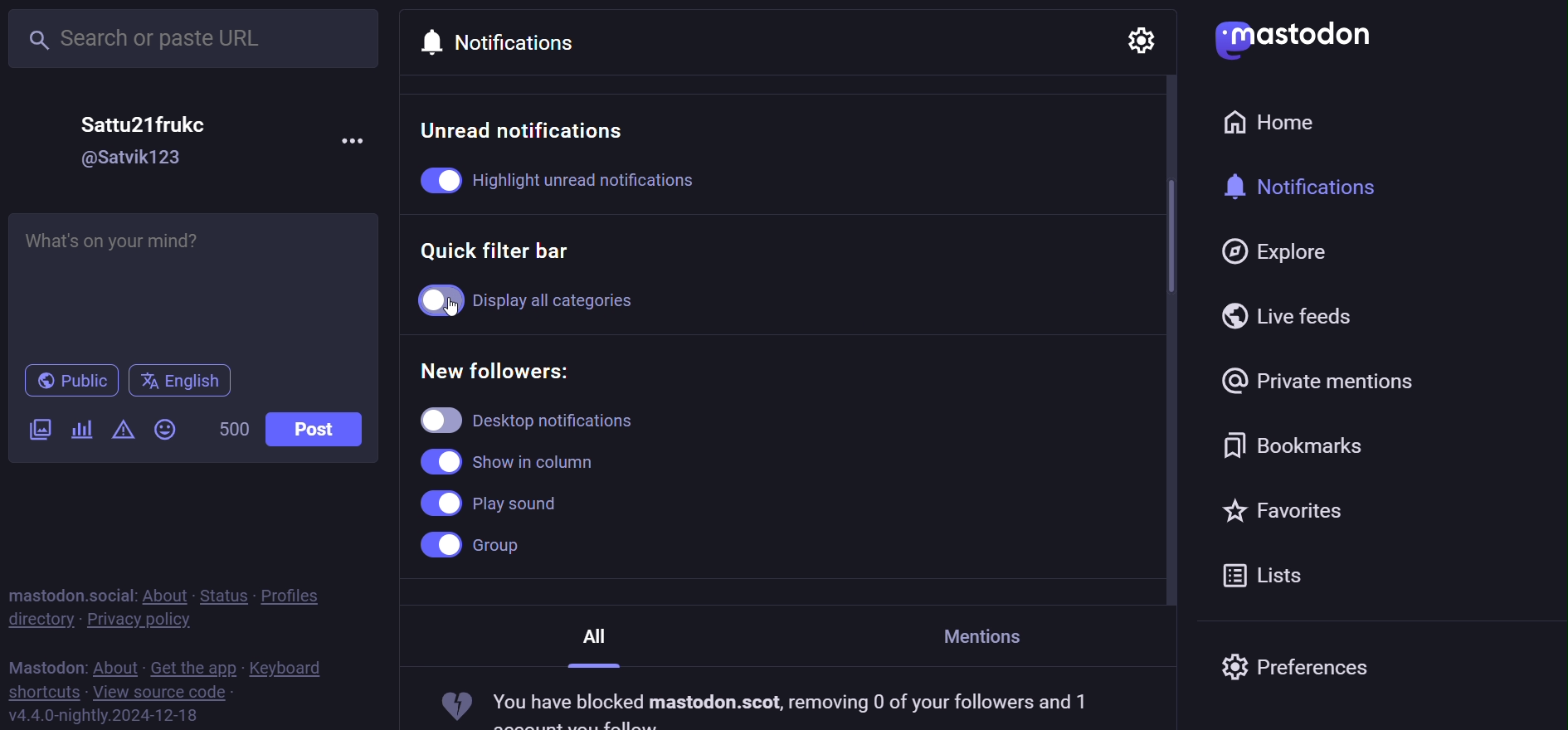 This screenshot has width=1568, height=730. I want to click on profiles, so click(302, 592).